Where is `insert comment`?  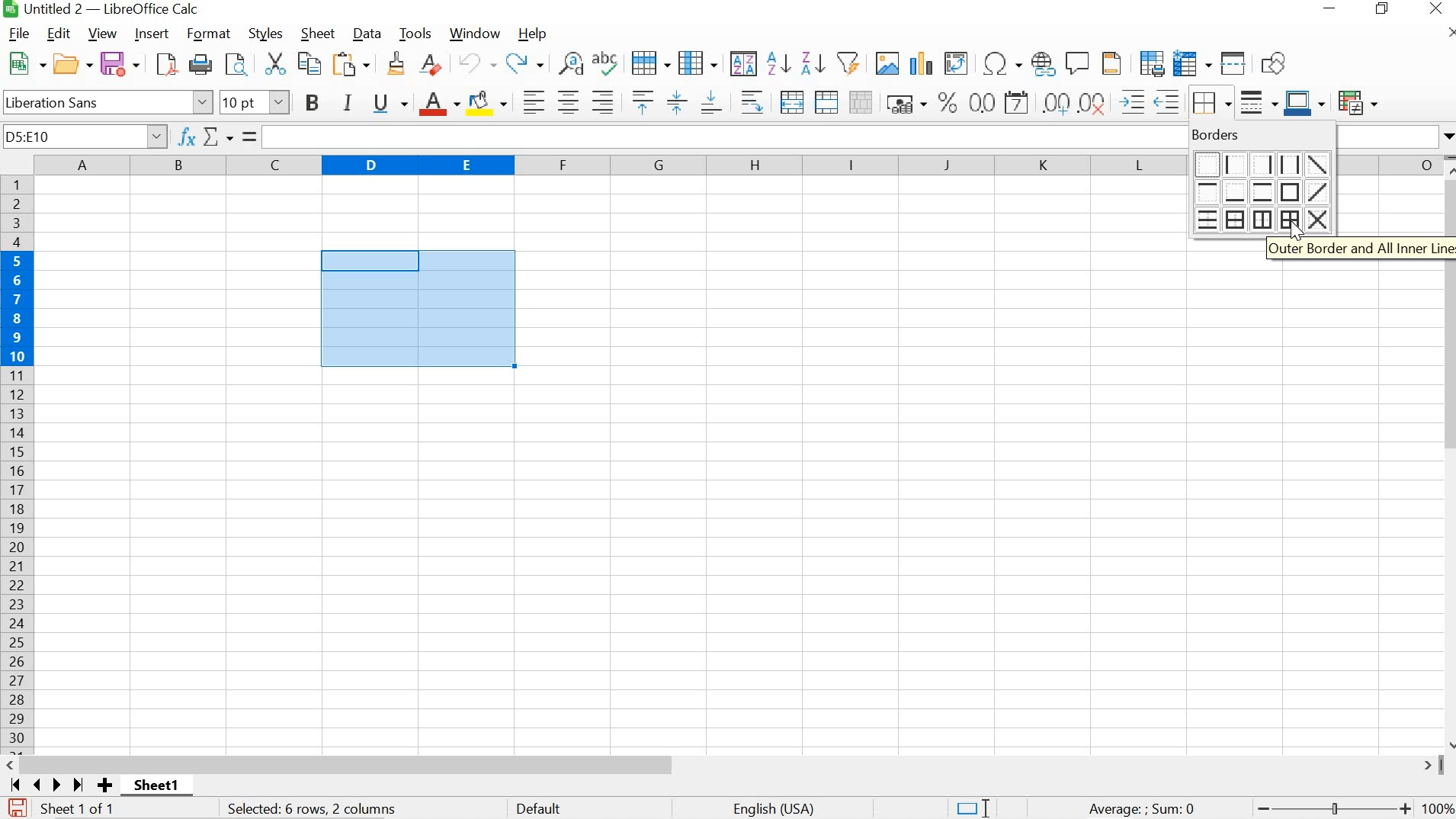 insert comment is located at coordinates (1079, 63).